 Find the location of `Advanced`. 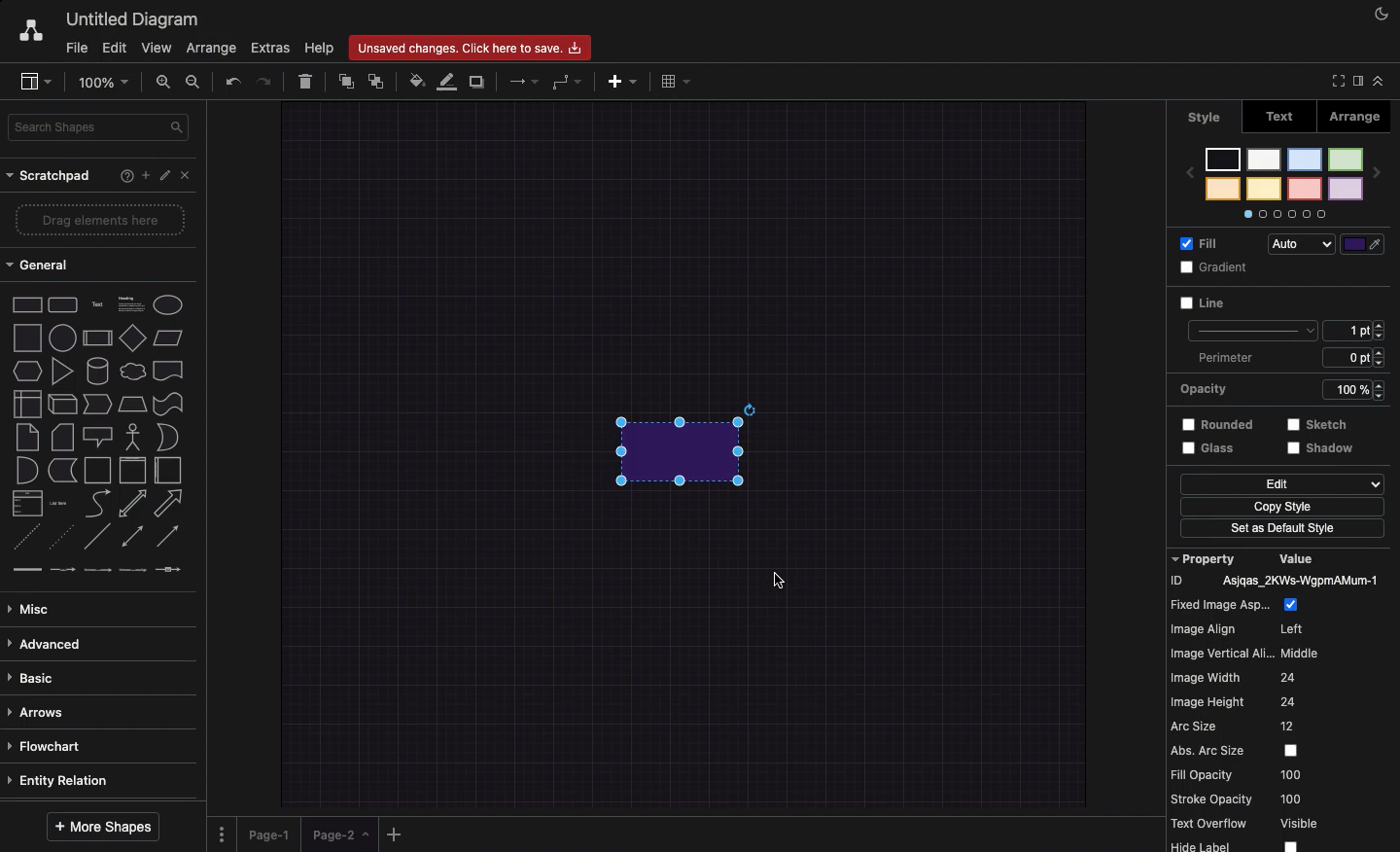

Advanced is located at coordinates (46, 641).